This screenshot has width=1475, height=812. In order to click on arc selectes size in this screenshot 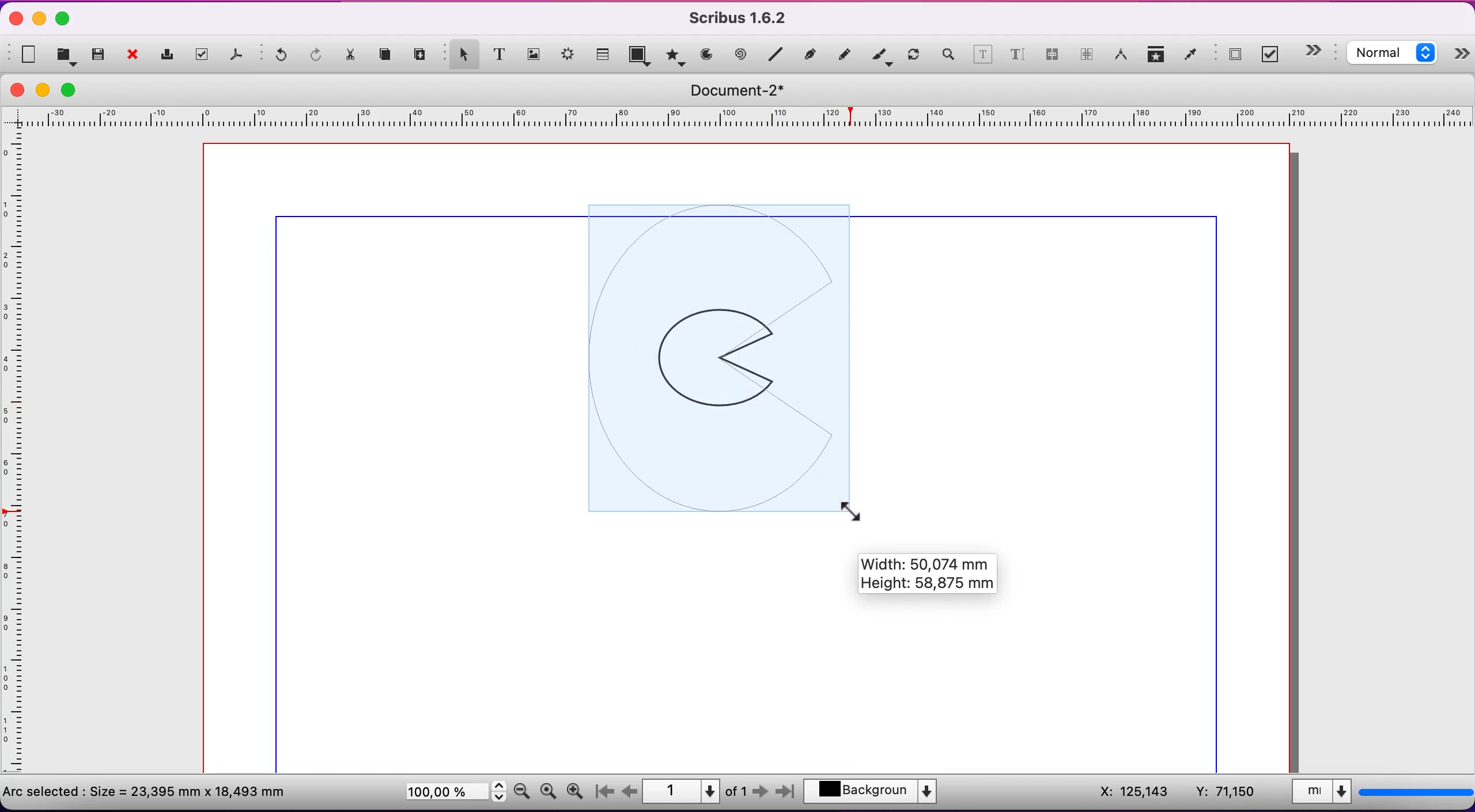, I will do `click(154, 790)`.